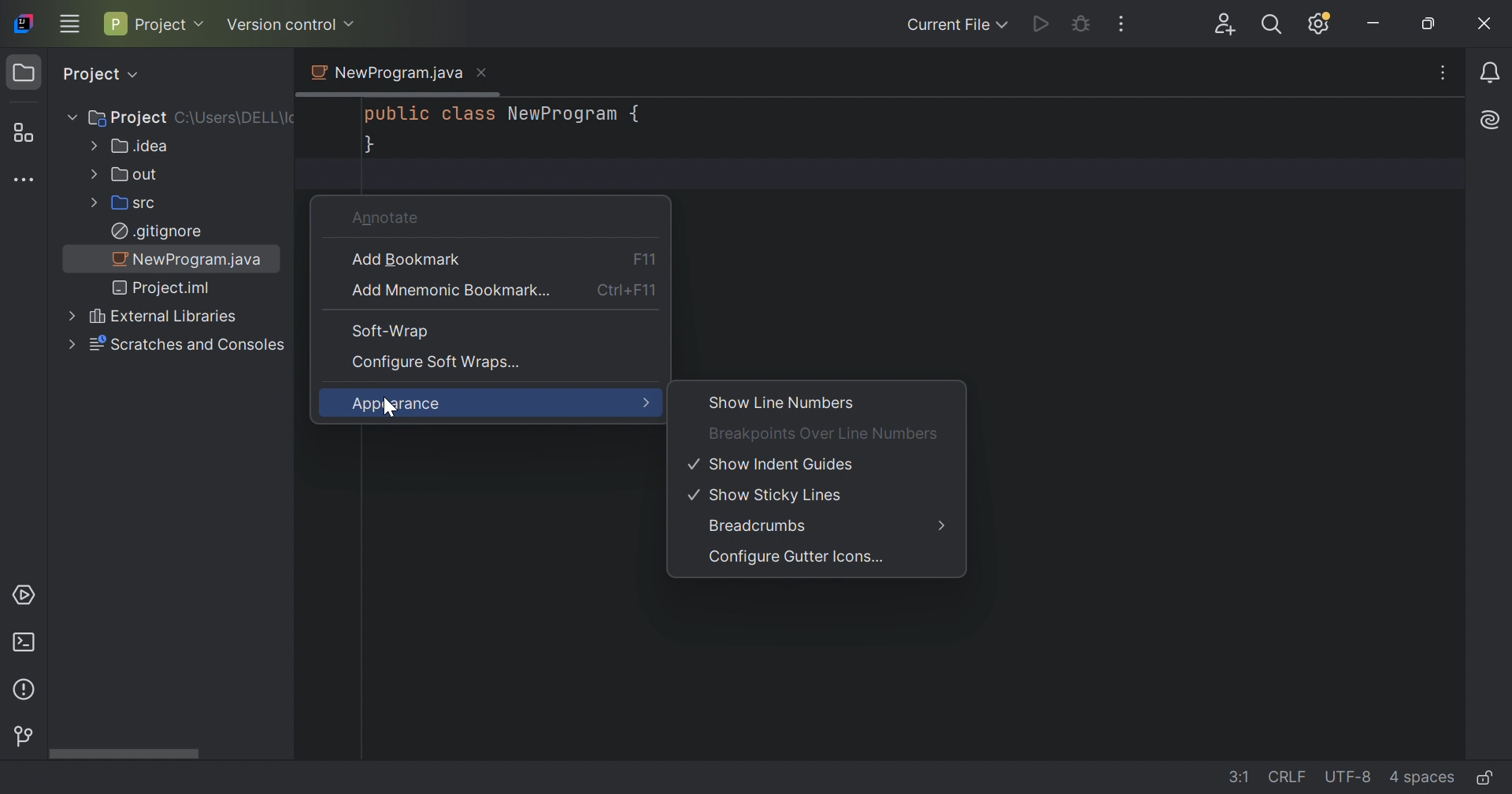 This screenshot has height=794, width=1512. I want to click on Scroll Bar, so click(172, 752).